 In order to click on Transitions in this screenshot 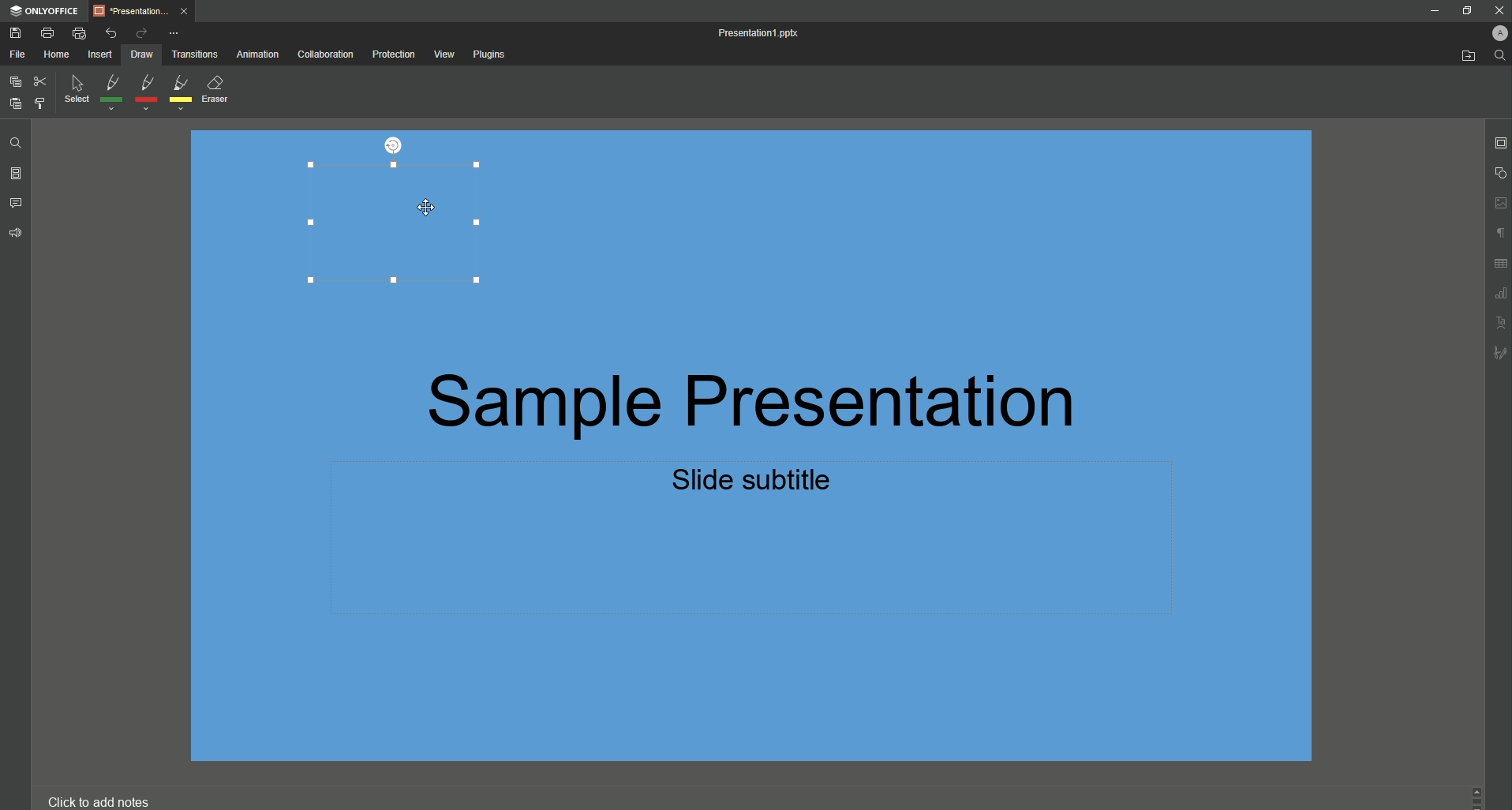, I will do `click(197, 55)`.